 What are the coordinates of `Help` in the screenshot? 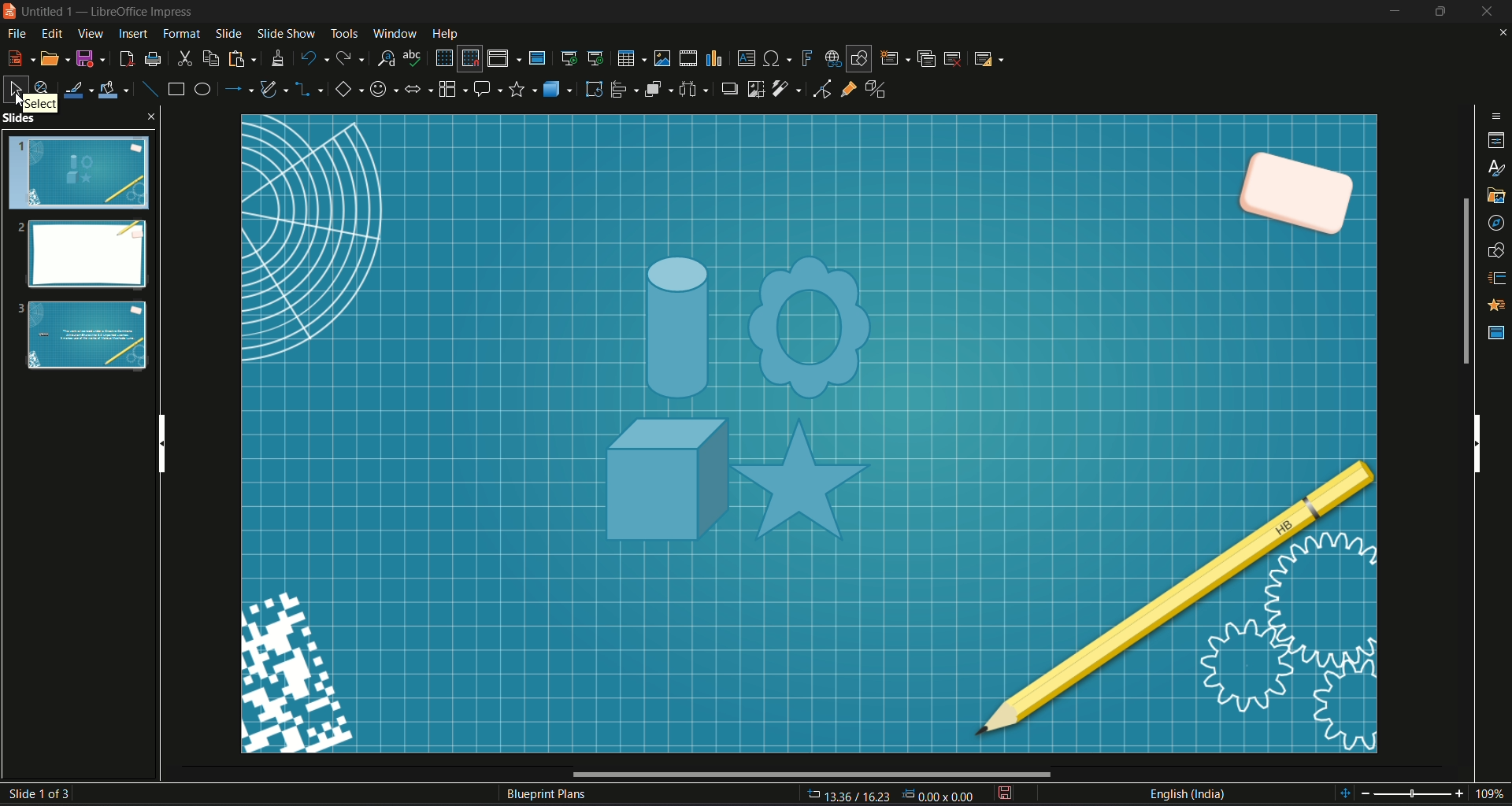 It's located at (446, 34).